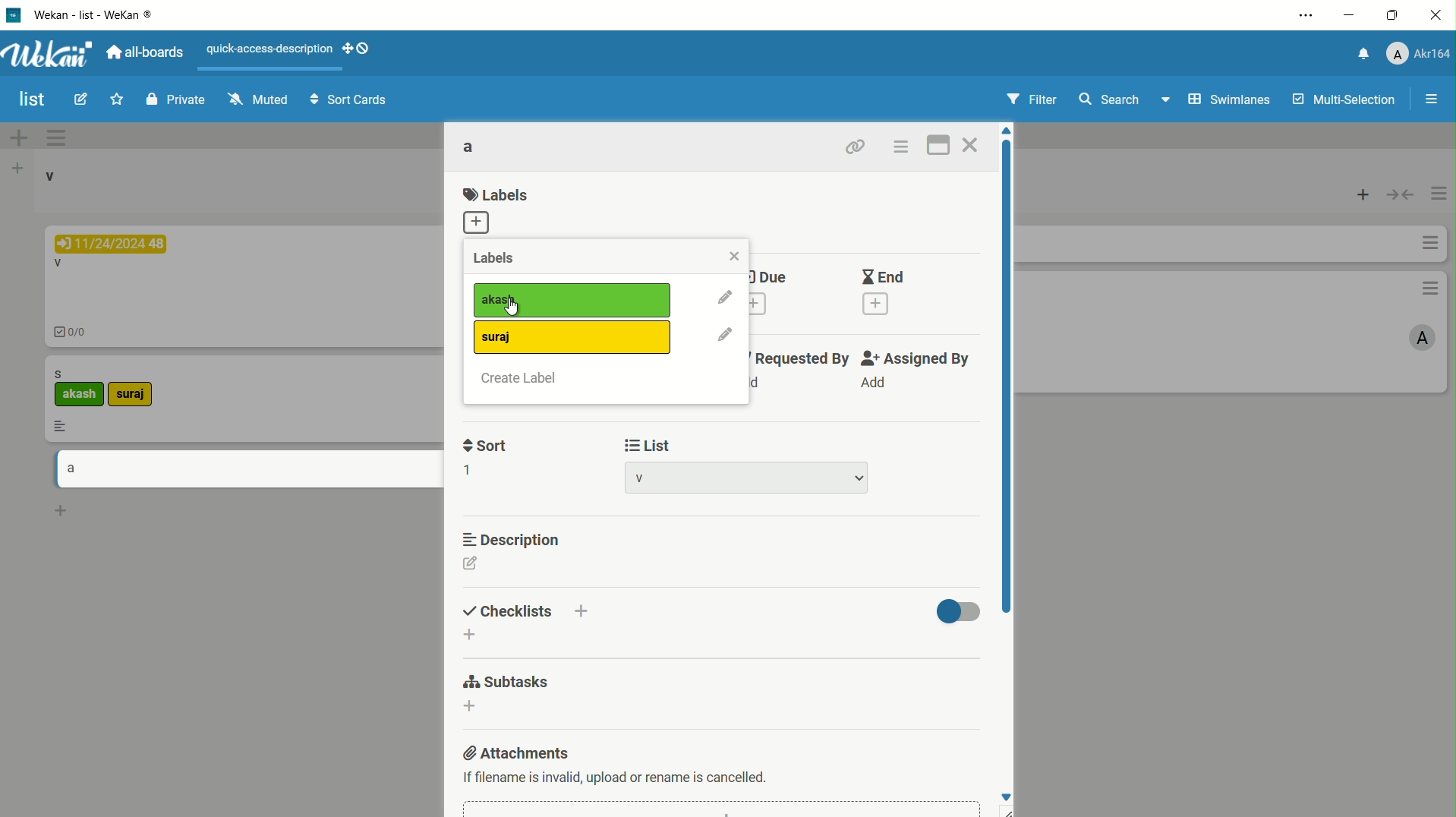 The height and width of the screenshot is (817, 1456). I want to click on due, so click(764, 277).